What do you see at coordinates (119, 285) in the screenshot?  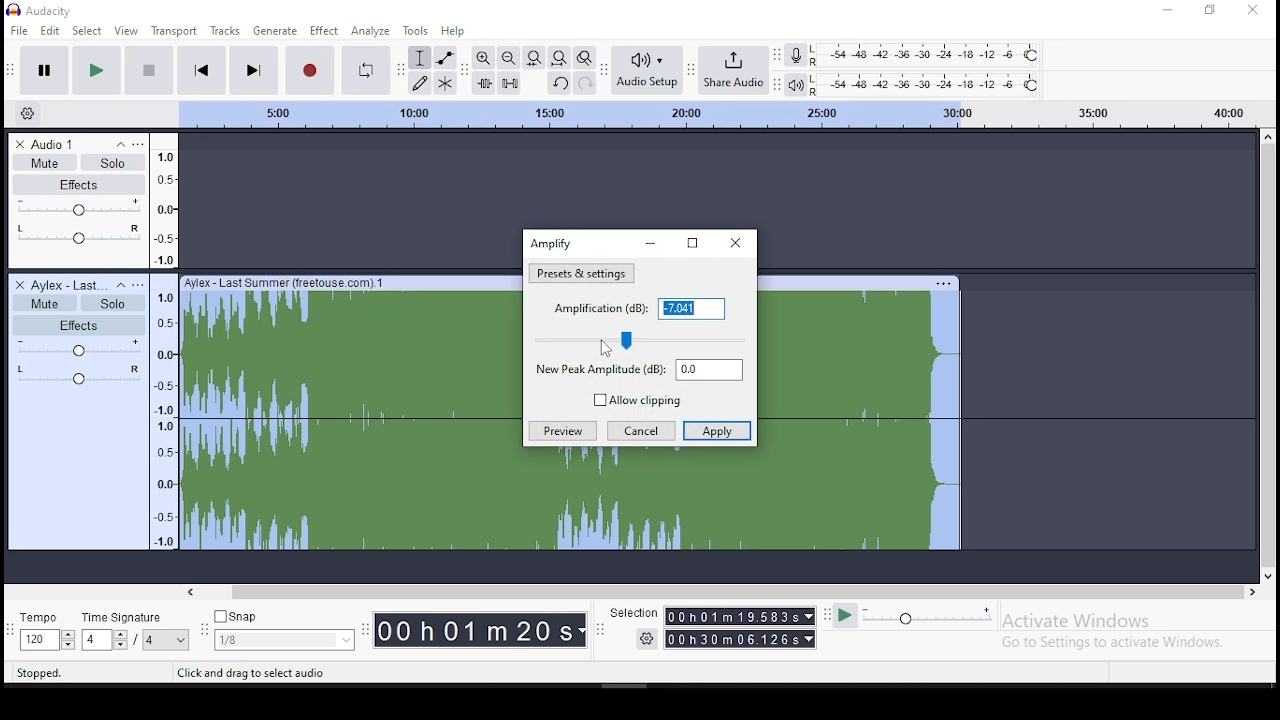 I see `collapse` at bounding box center [119, 285].